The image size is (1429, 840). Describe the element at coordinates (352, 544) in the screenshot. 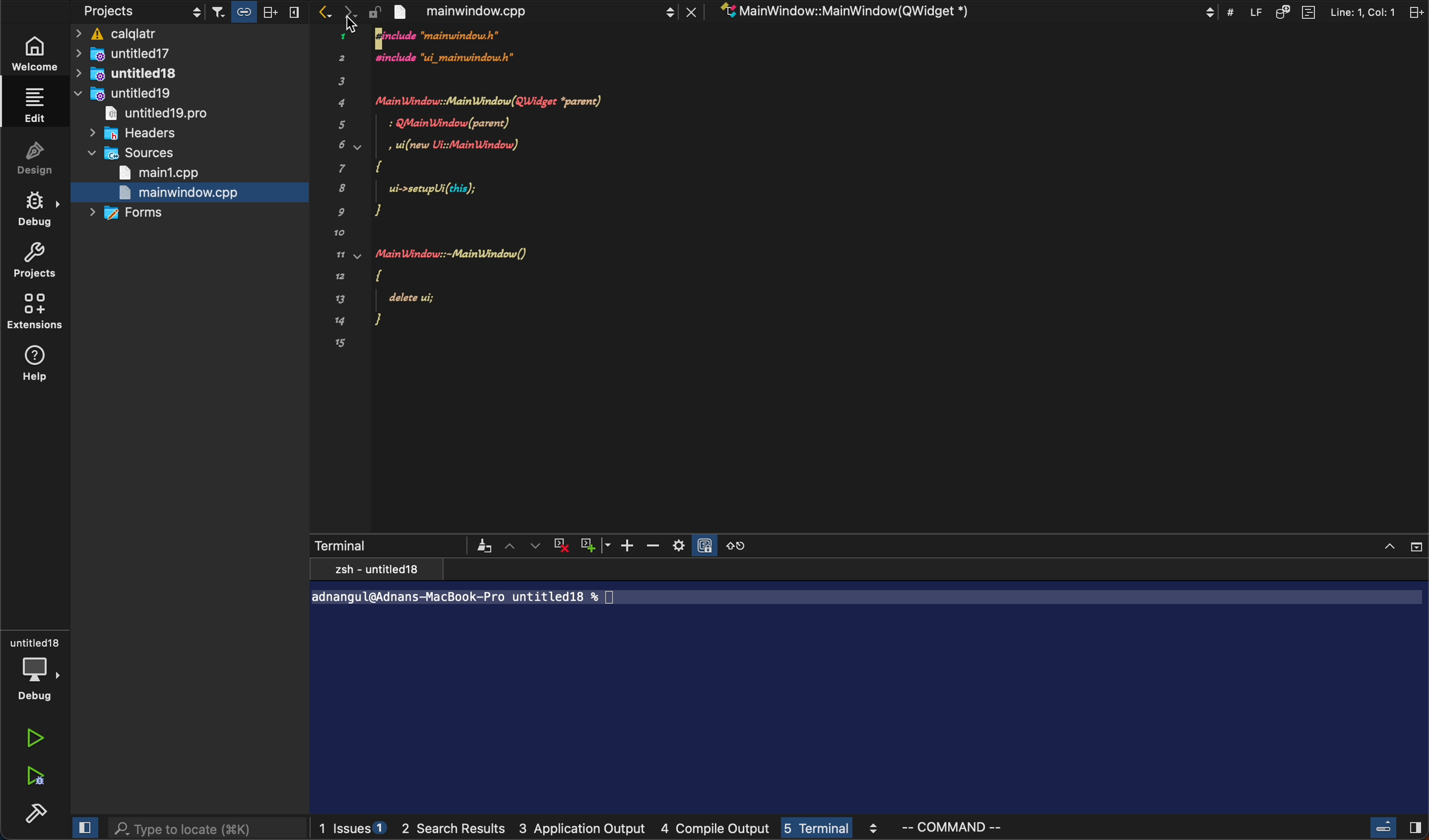

I see `Terminal` at that location.